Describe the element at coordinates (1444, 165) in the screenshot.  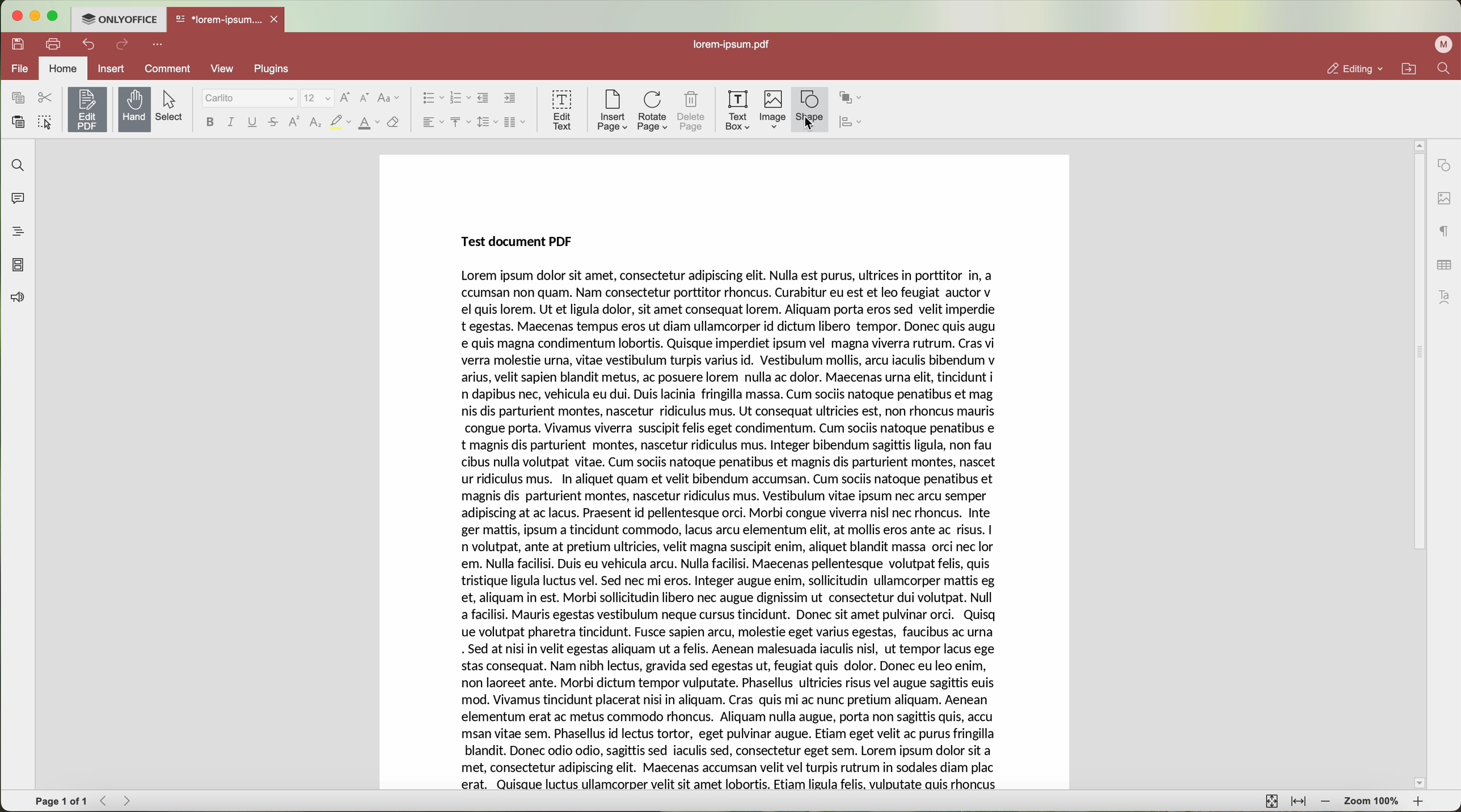
I see `shape settings` at that location.